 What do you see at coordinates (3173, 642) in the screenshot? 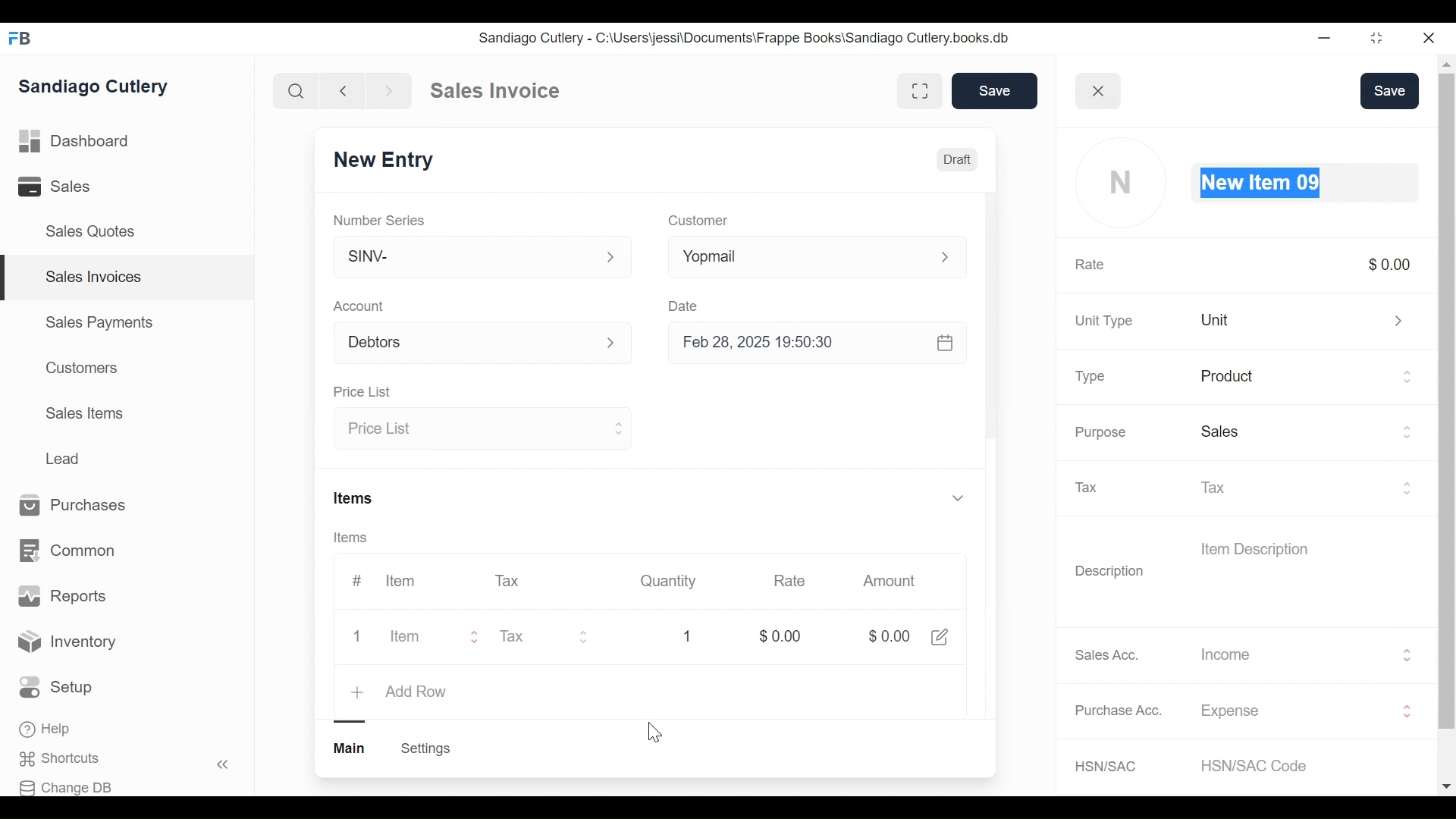
I see `scrollbar` at bounding box center [3173, 642].